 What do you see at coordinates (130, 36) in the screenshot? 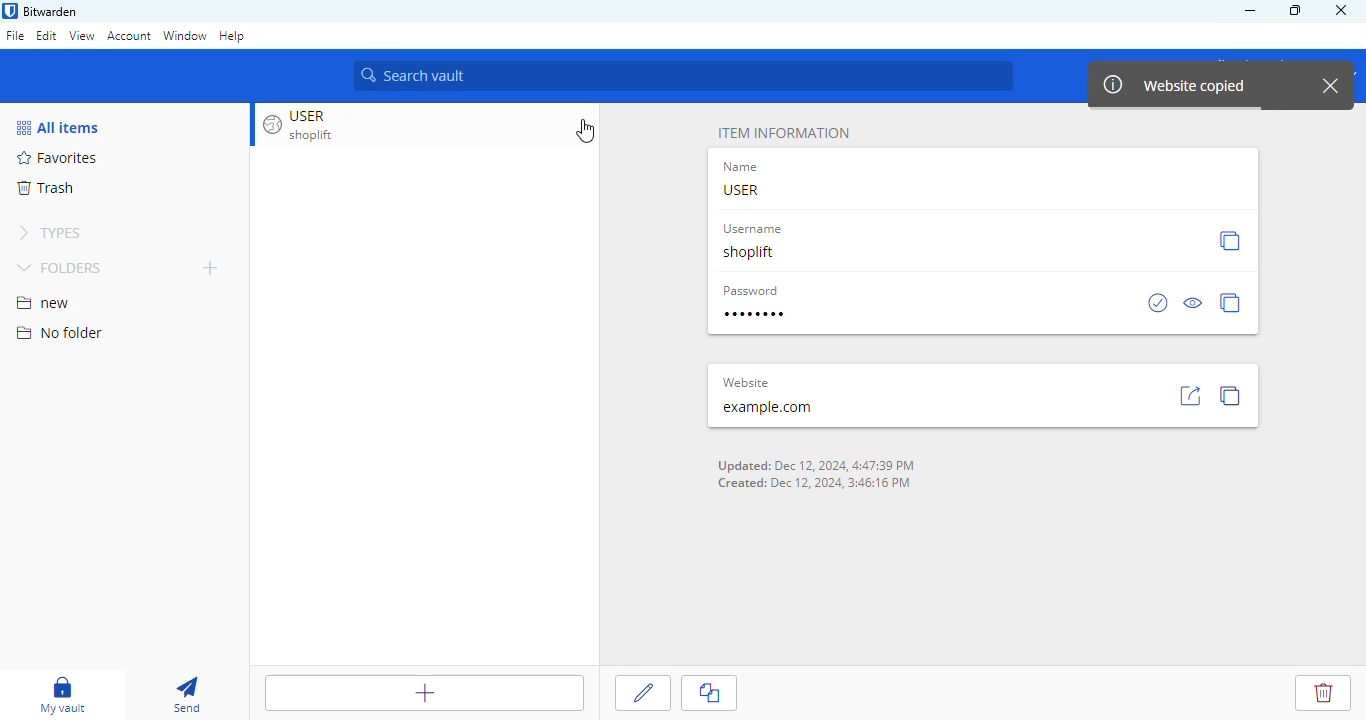
I see `account` at bounding box center [130, 36].